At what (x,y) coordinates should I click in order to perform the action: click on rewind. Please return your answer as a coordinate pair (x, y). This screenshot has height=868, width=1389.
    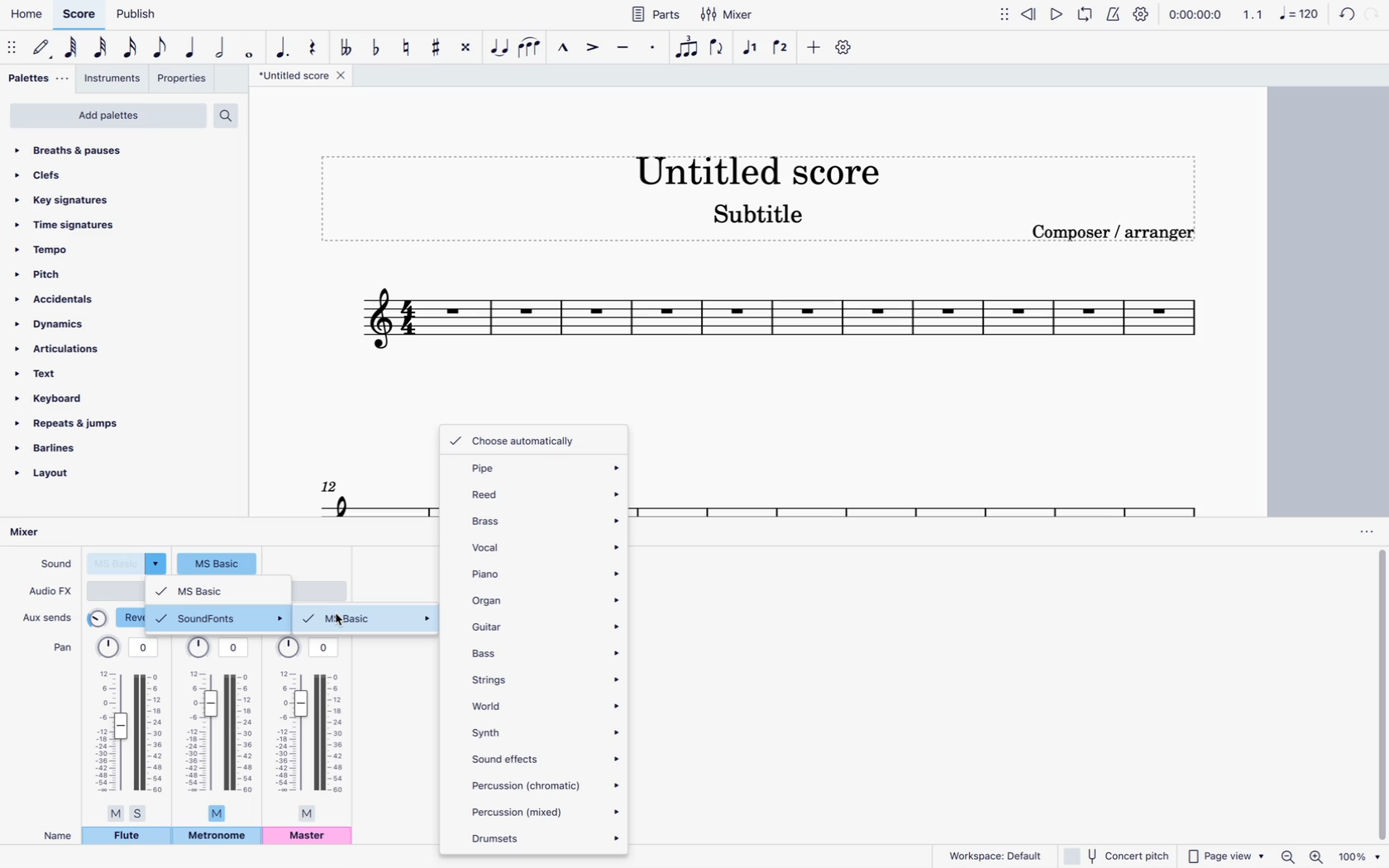
    Looking at the image, I should click on (1031, 12).